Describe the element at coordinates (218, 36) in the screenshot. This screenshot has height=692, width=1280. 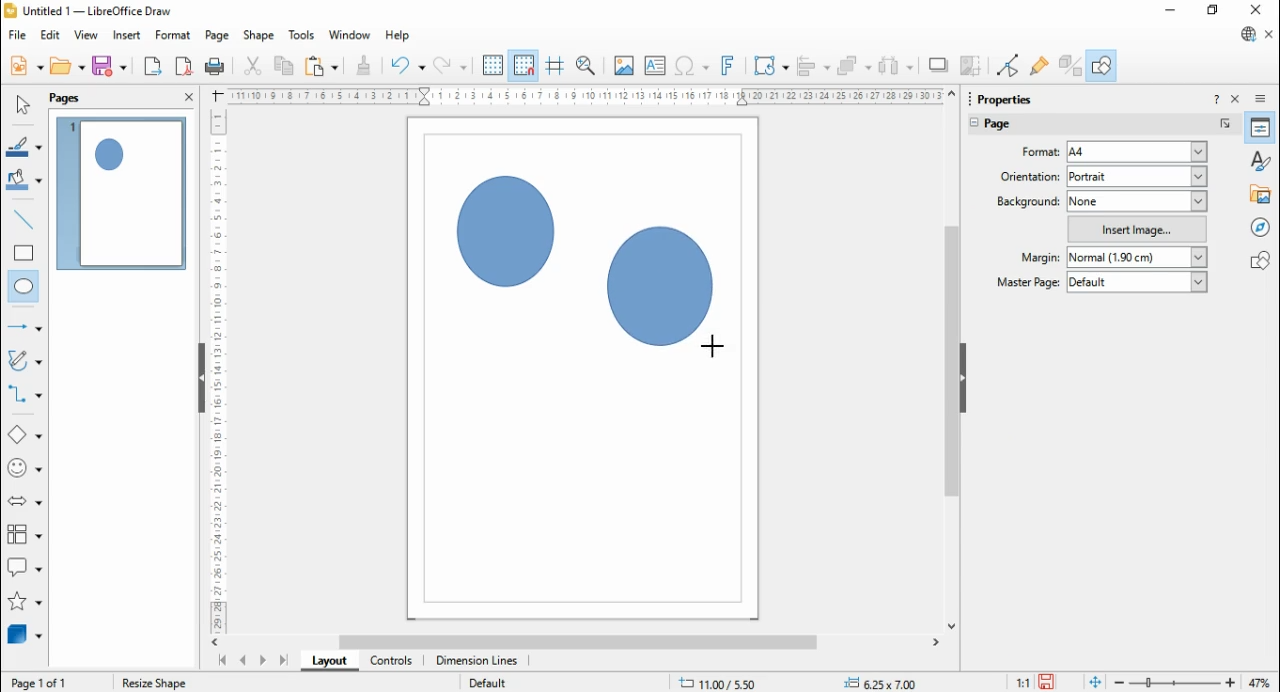
I see `page` at that location.